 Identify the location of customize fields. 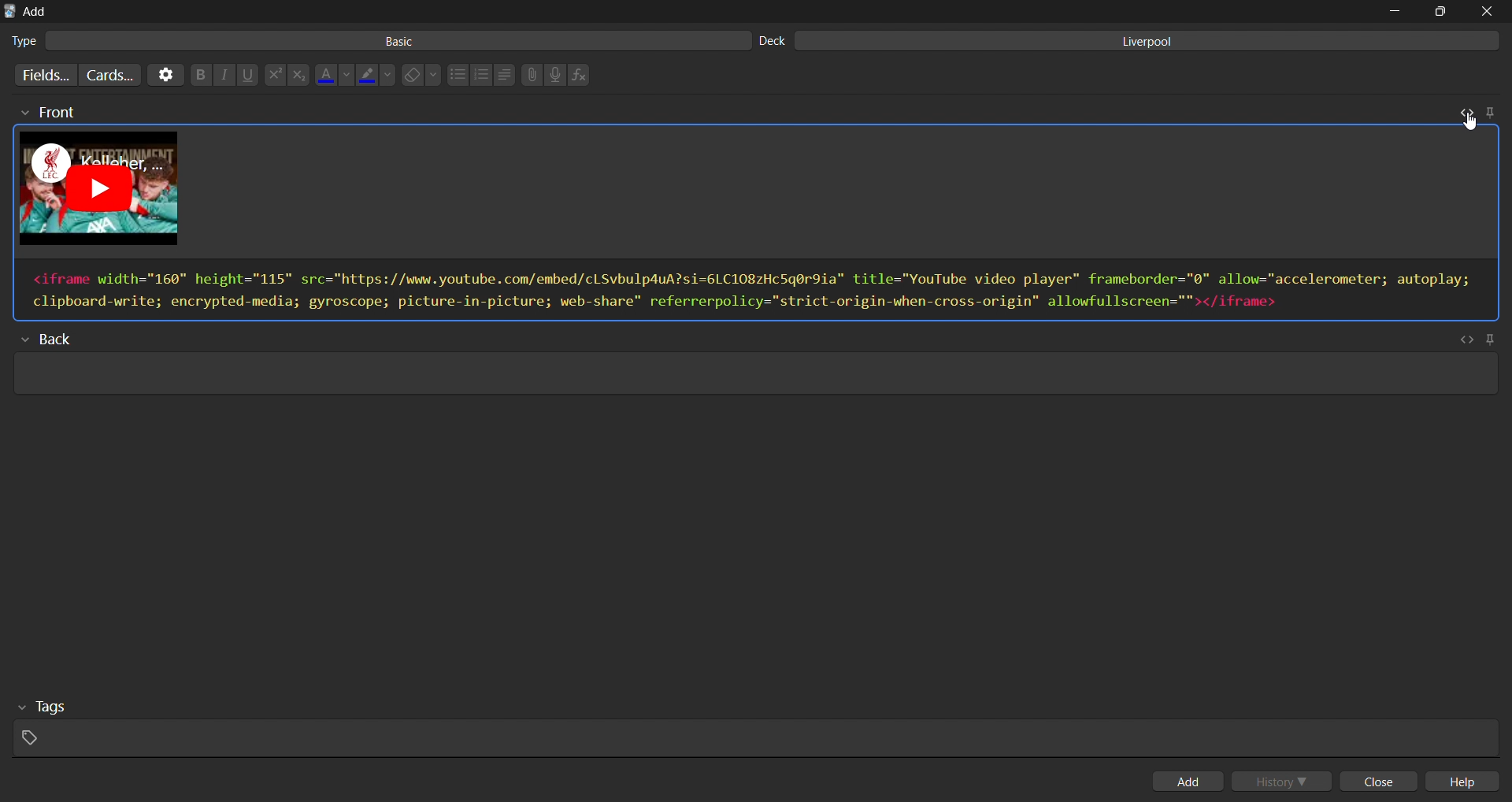
(42, 75).